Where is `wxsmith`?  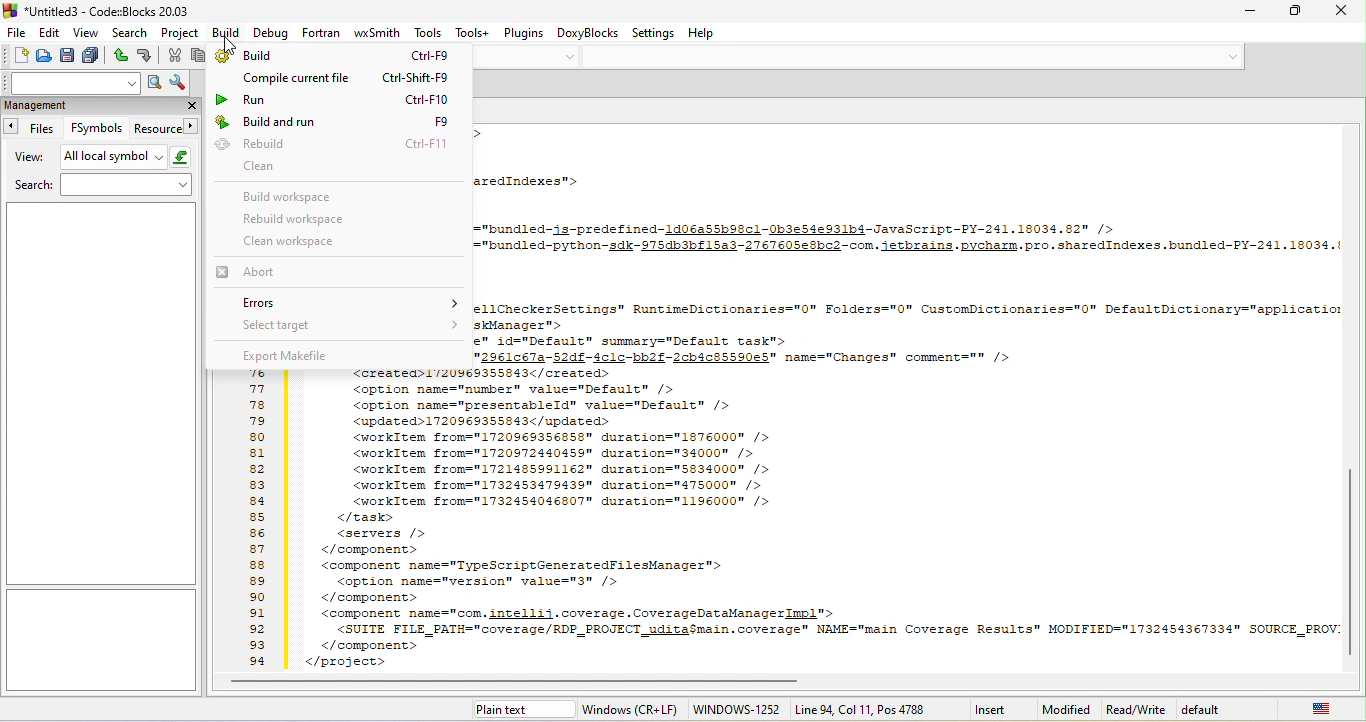
wxsmith is located at coordinates (379, 33).